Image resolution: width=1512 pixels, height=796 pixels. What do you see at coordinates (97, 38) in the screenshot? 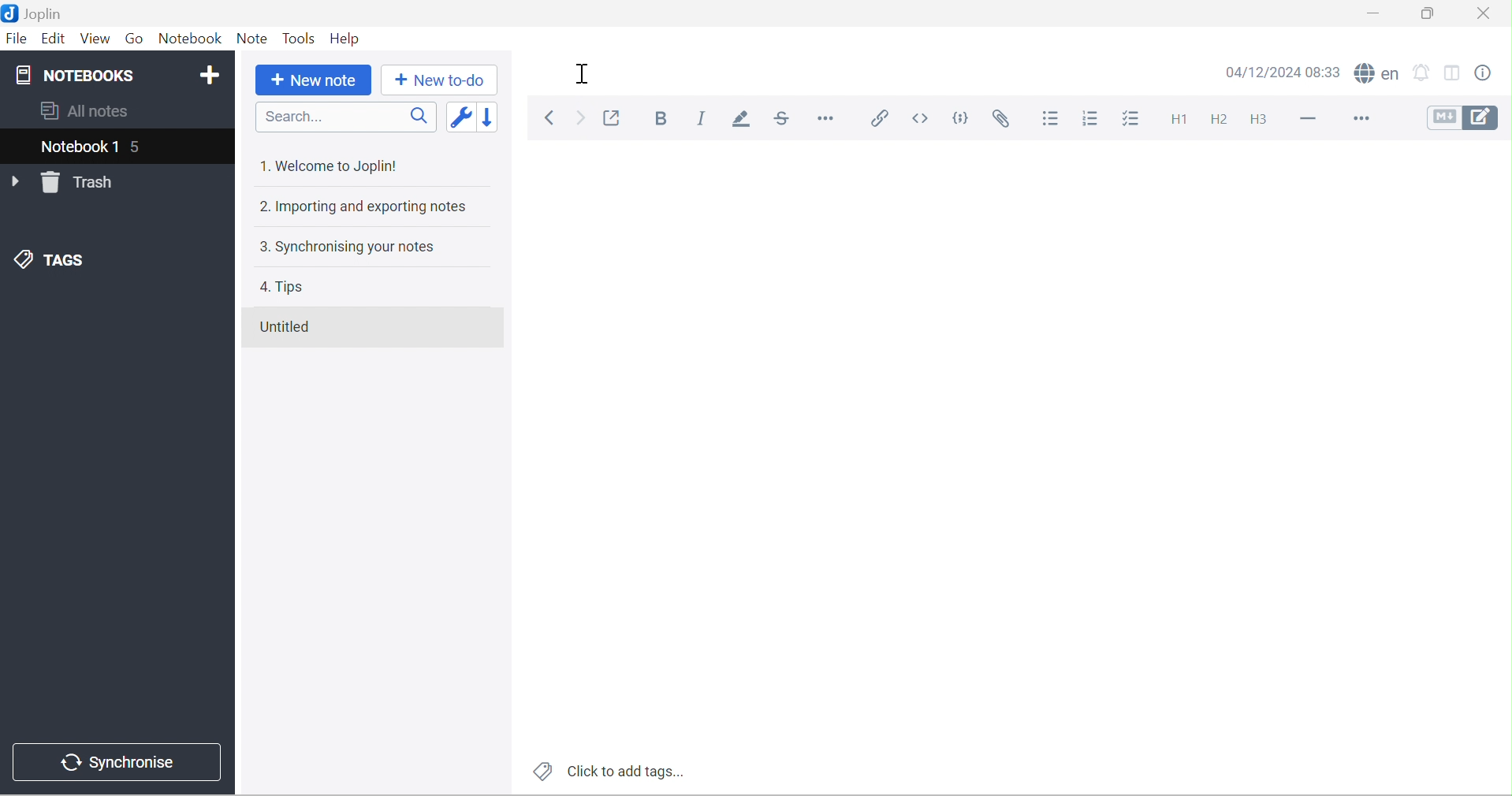
I see `View` at bounding box center [97, 38].